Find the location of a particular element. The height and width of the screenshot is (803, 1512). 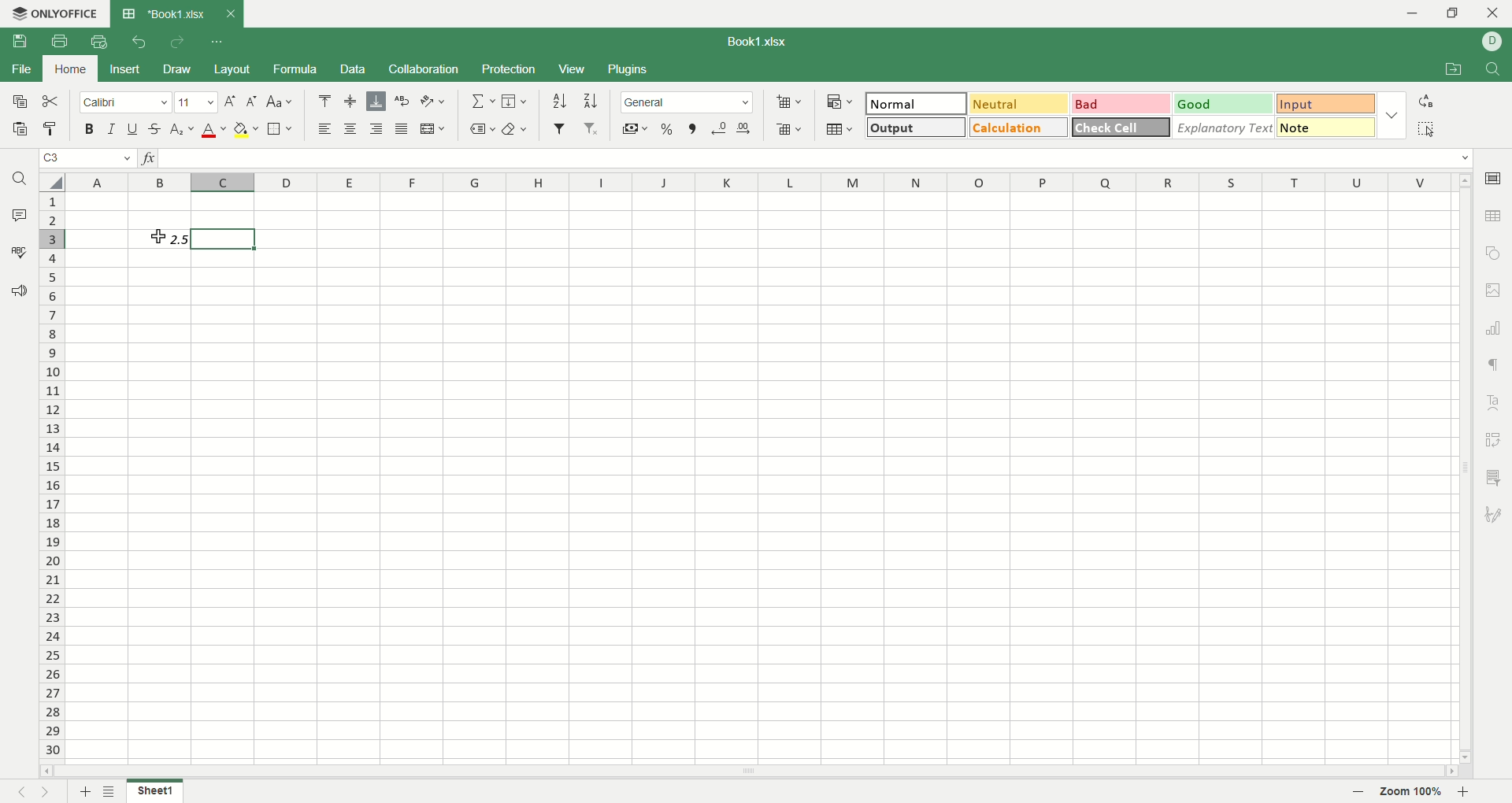

percent style is located at coordinates (666, 130).